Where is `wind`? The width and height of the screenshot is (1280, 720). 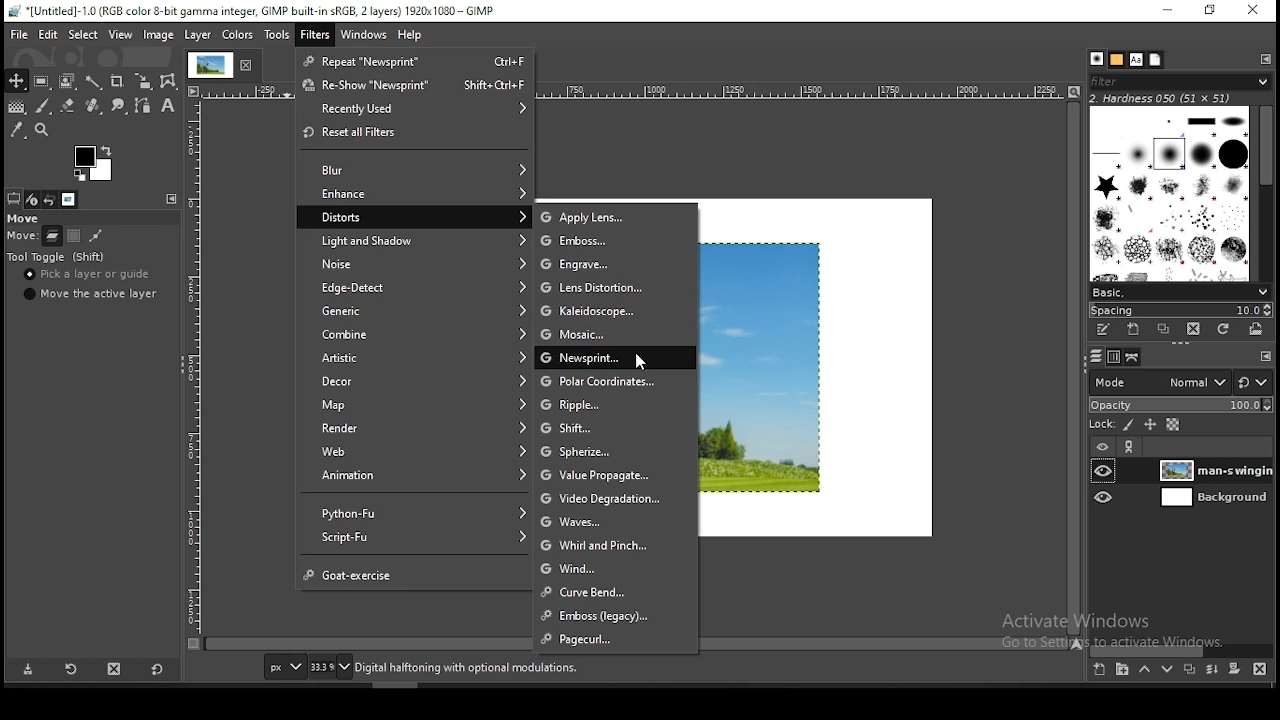 wind is located at coordinates (616, 568).